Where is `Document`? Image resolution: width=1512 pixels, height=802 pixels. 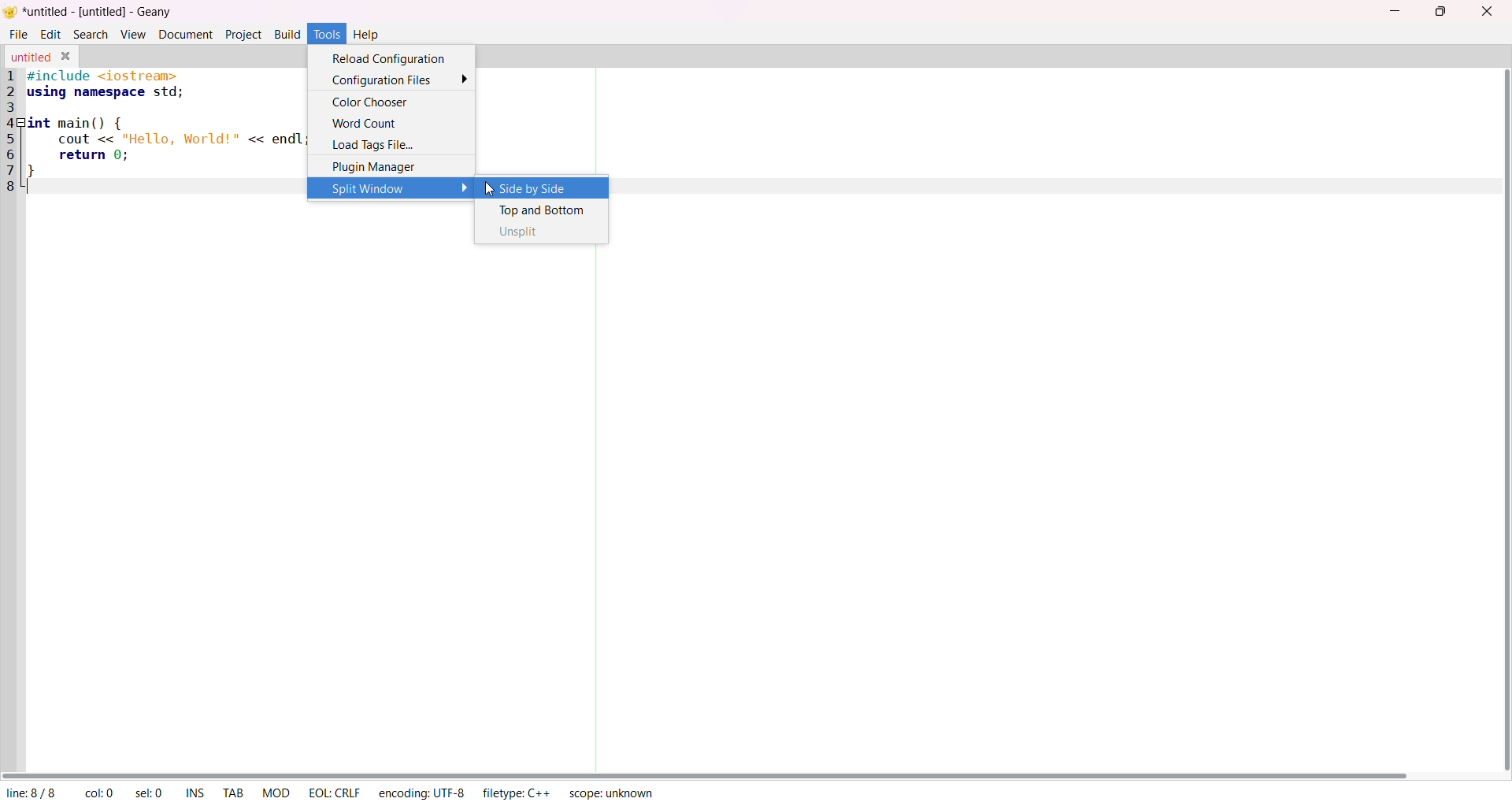 Document is located at coordinates (183, 34).